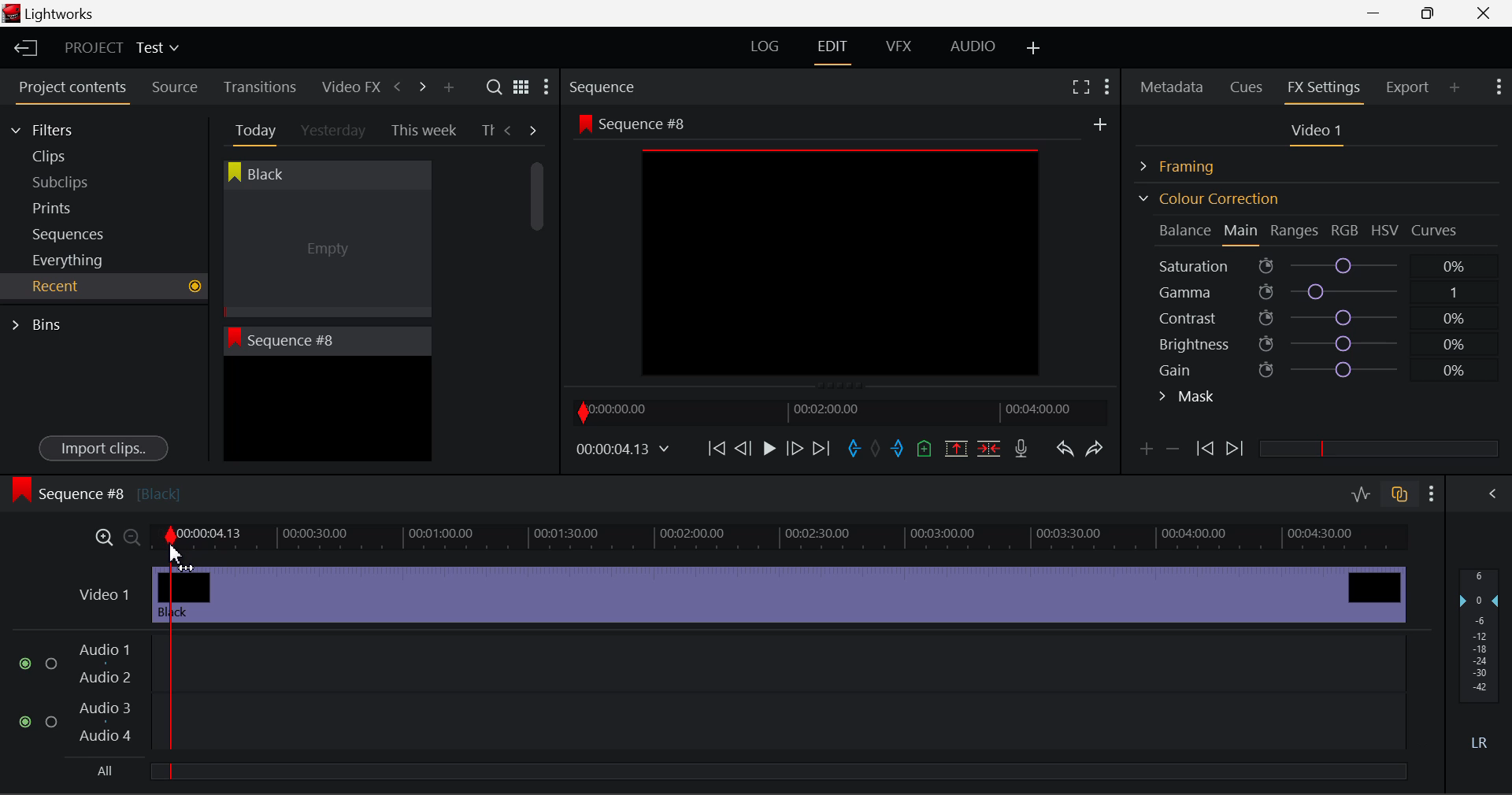  What do you see at coordinates (1188, 398) in the screenshot?
I see `Mask` at bounding box center [1188, 398].